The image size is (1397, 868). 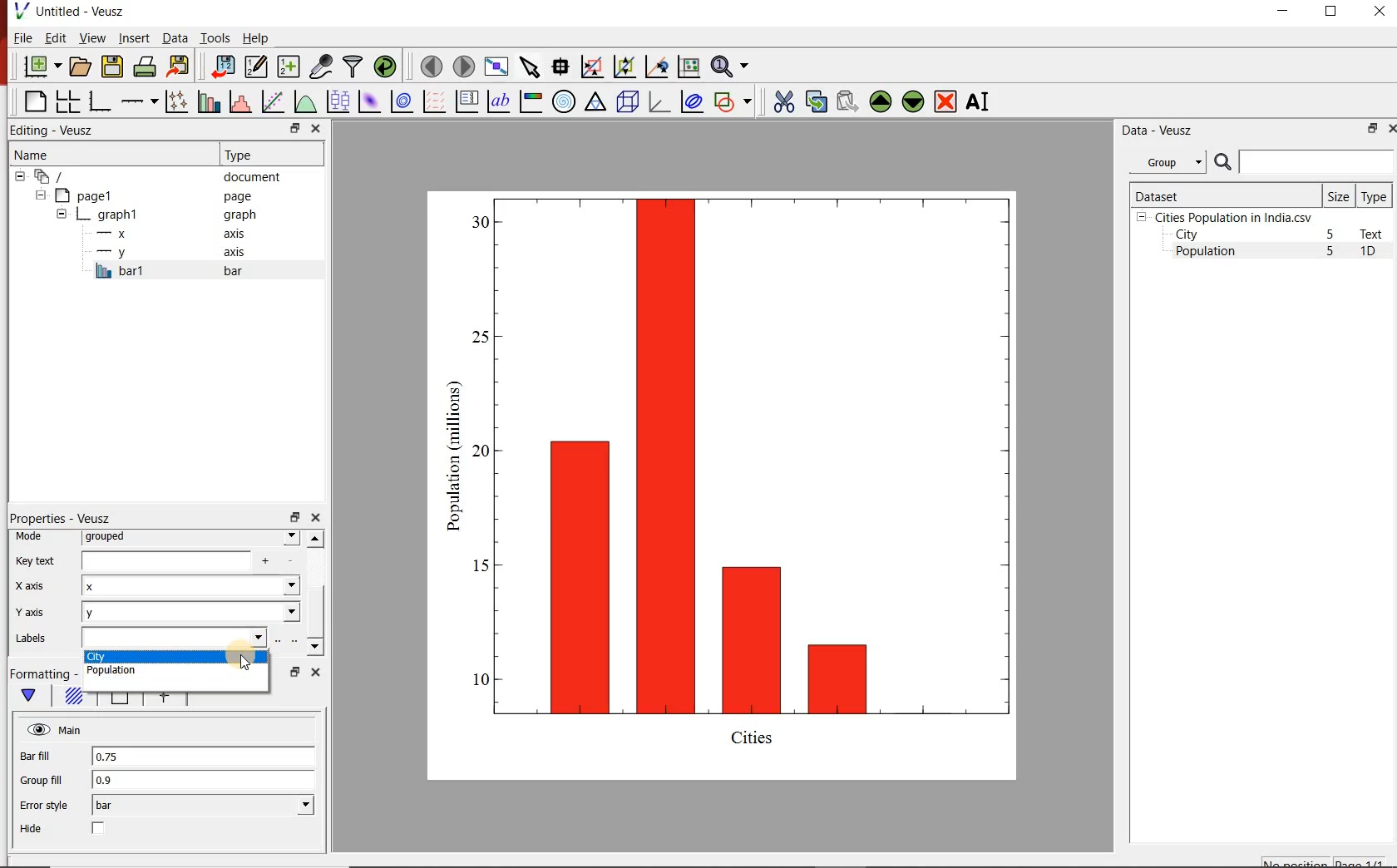 I want to click on 0.75, so click(x=202, y=757).